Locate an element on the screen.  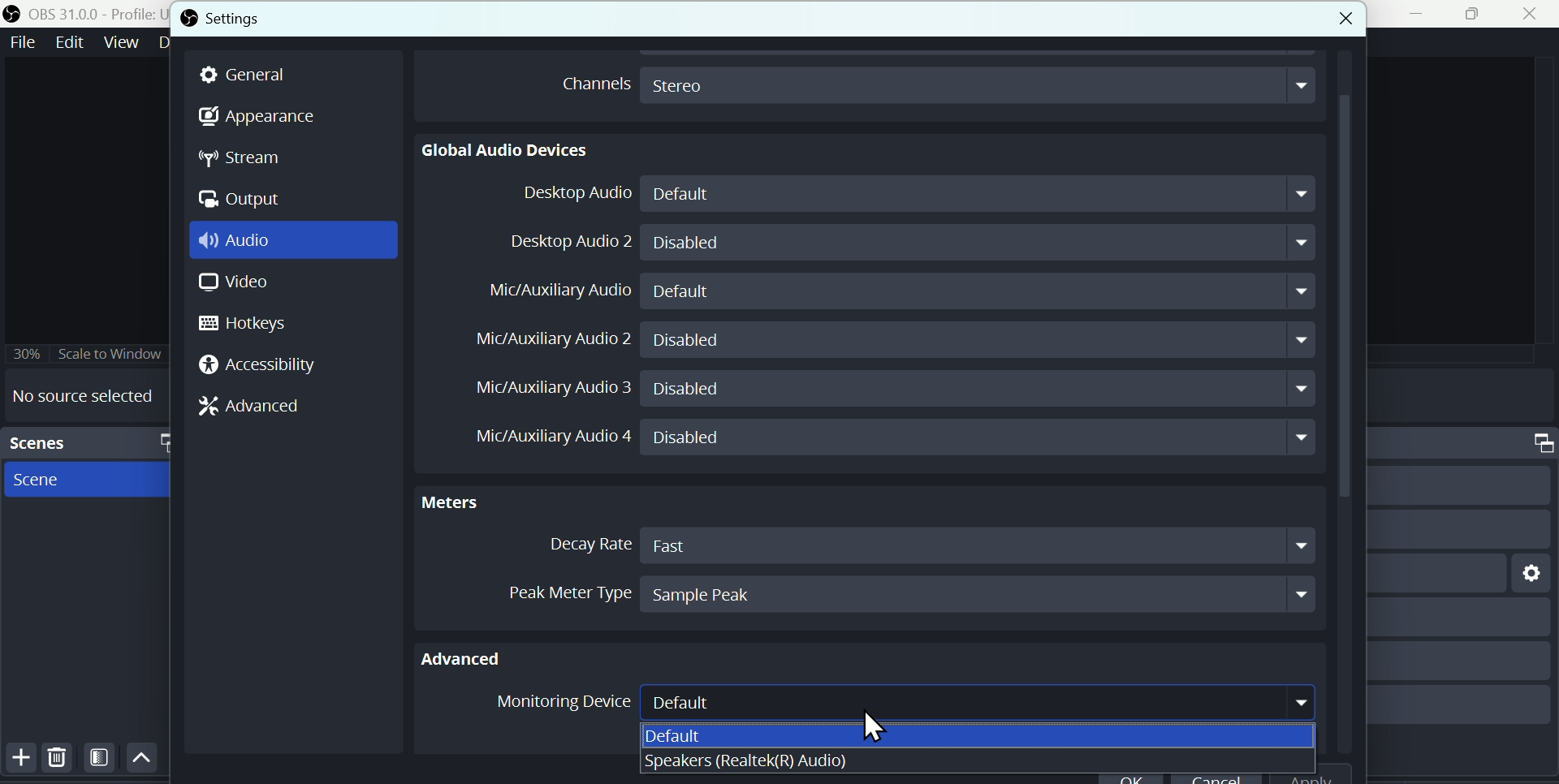
apply is located at coordinates (1320, 775).